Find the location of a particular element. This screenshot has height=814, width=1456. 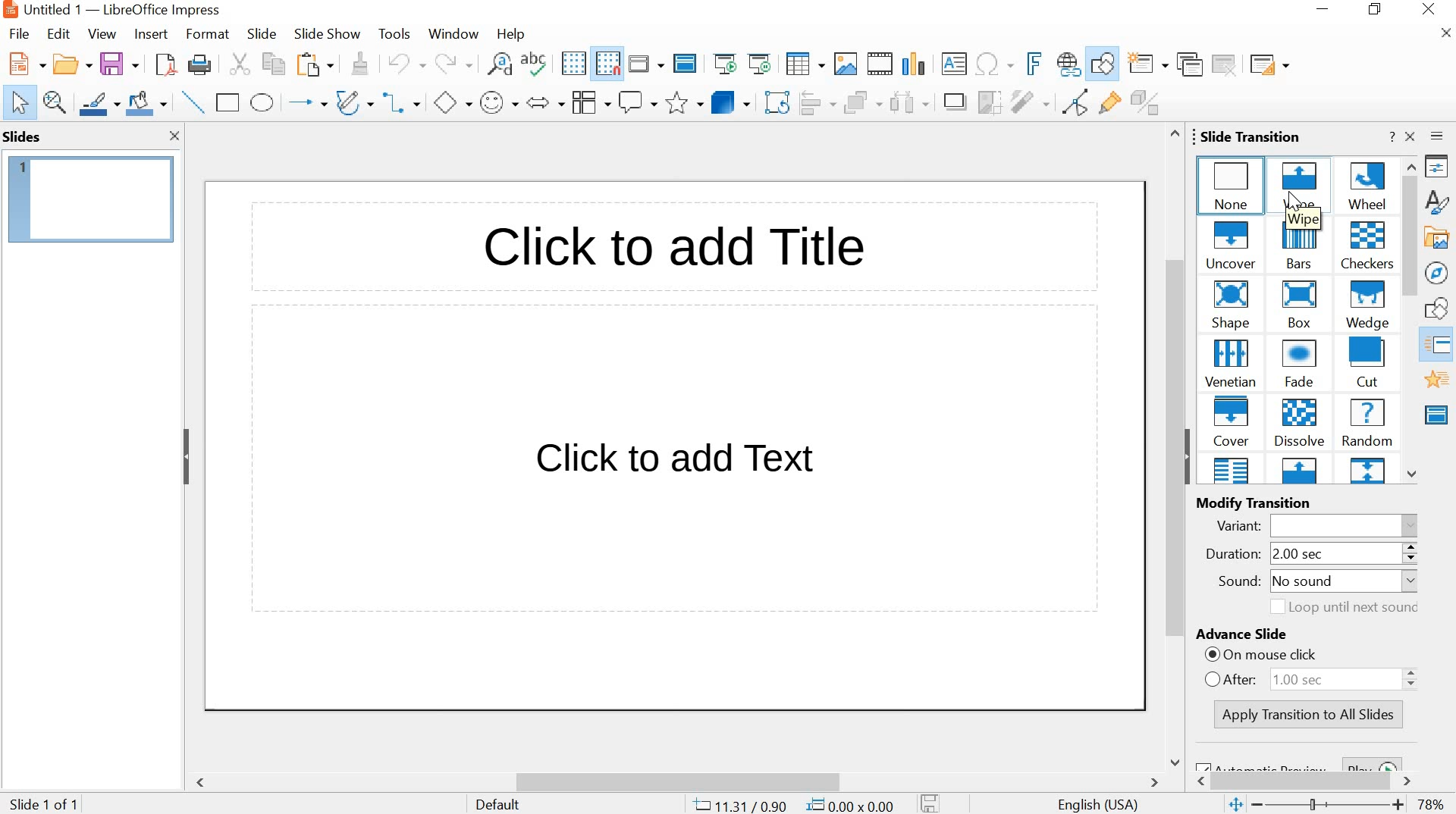

BARS is located at coordinates (1301, 246).